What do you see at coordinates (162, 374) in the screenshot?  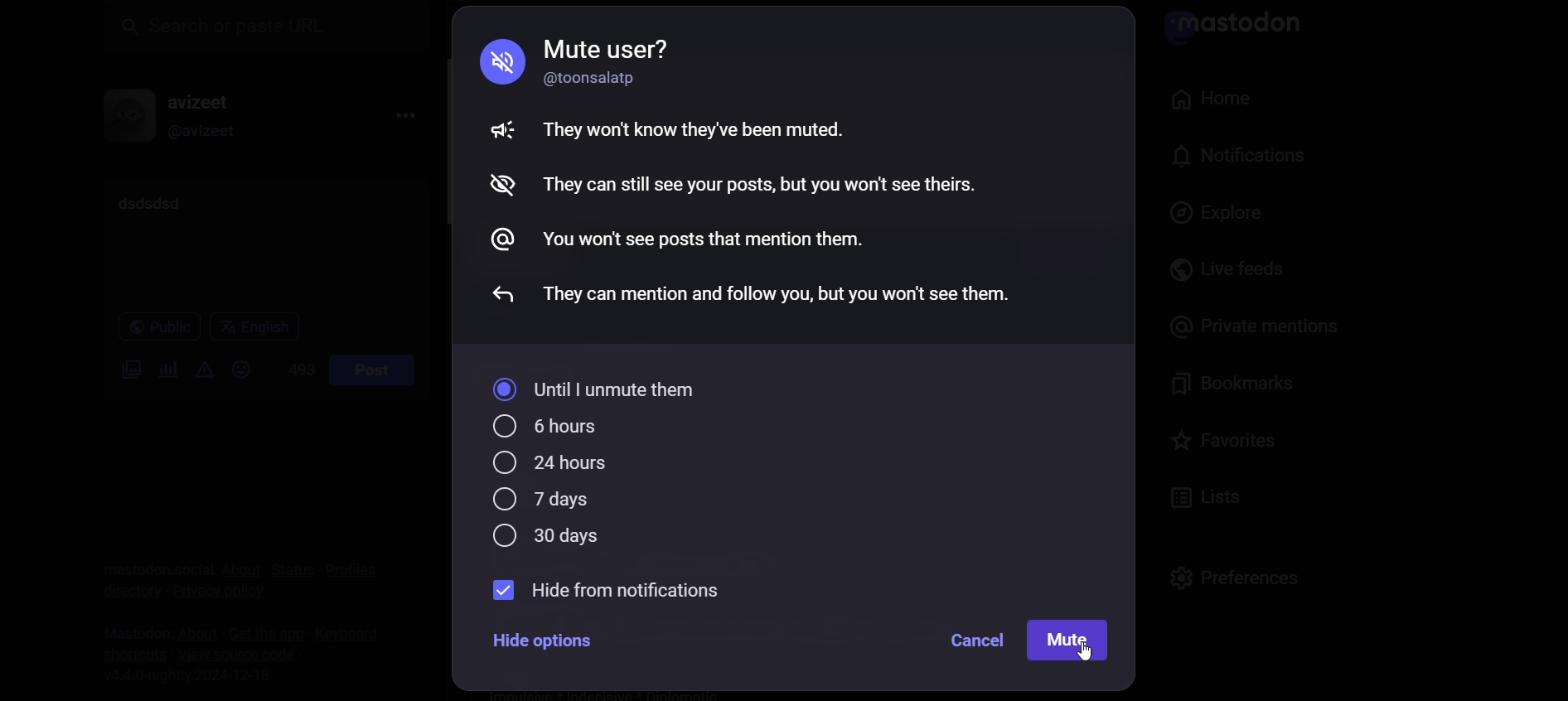 I see `add a poll` at bounding box center [162, 374].